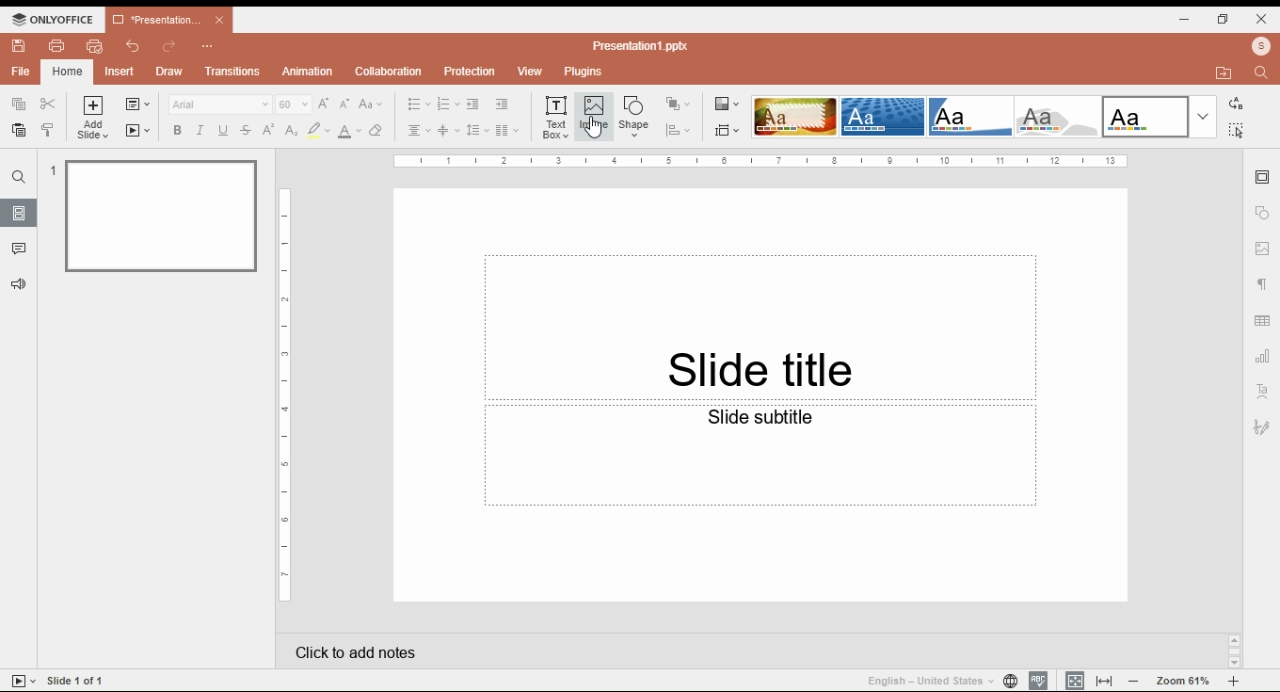 This screenshot has width=1280, height=692. Describe the element at coordinates (447, 104) in the screenshot. I see `numbering` at that location.